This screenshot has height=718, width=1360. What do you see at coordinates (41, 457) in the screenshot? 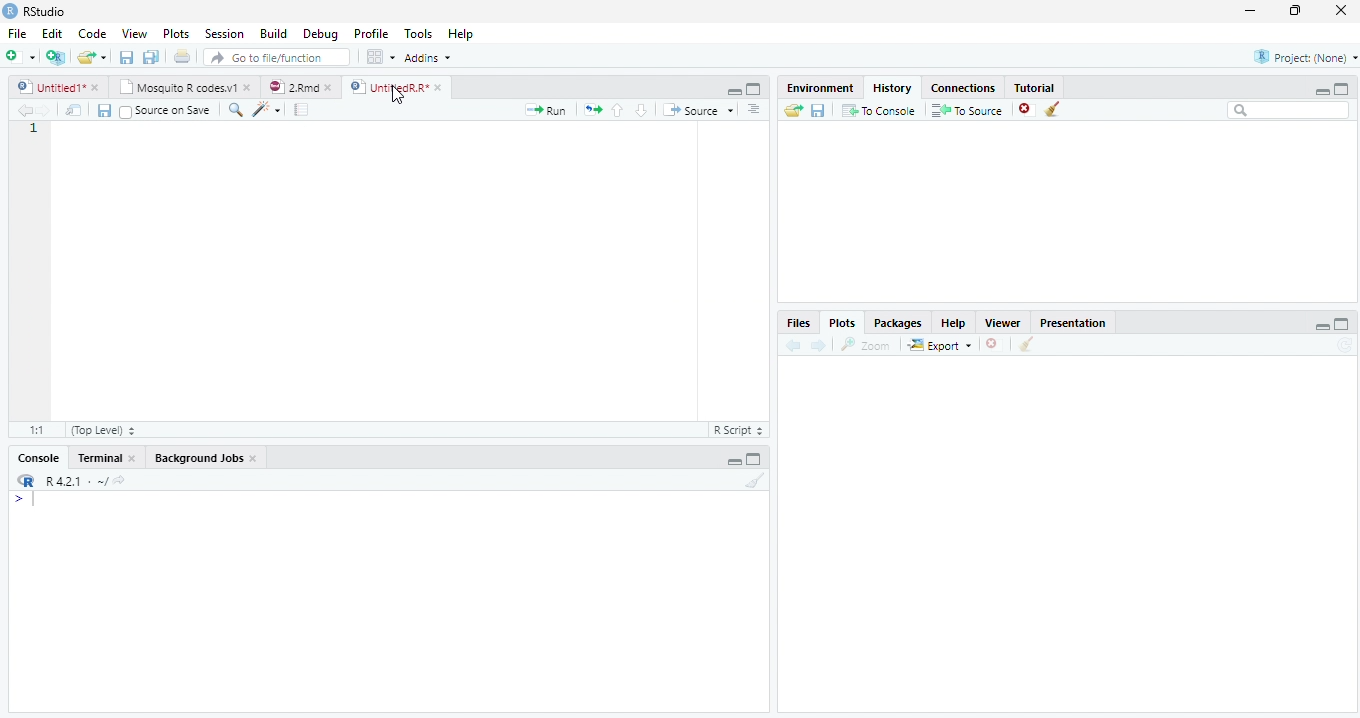
I see `Console` at bounding box center [41, 457].